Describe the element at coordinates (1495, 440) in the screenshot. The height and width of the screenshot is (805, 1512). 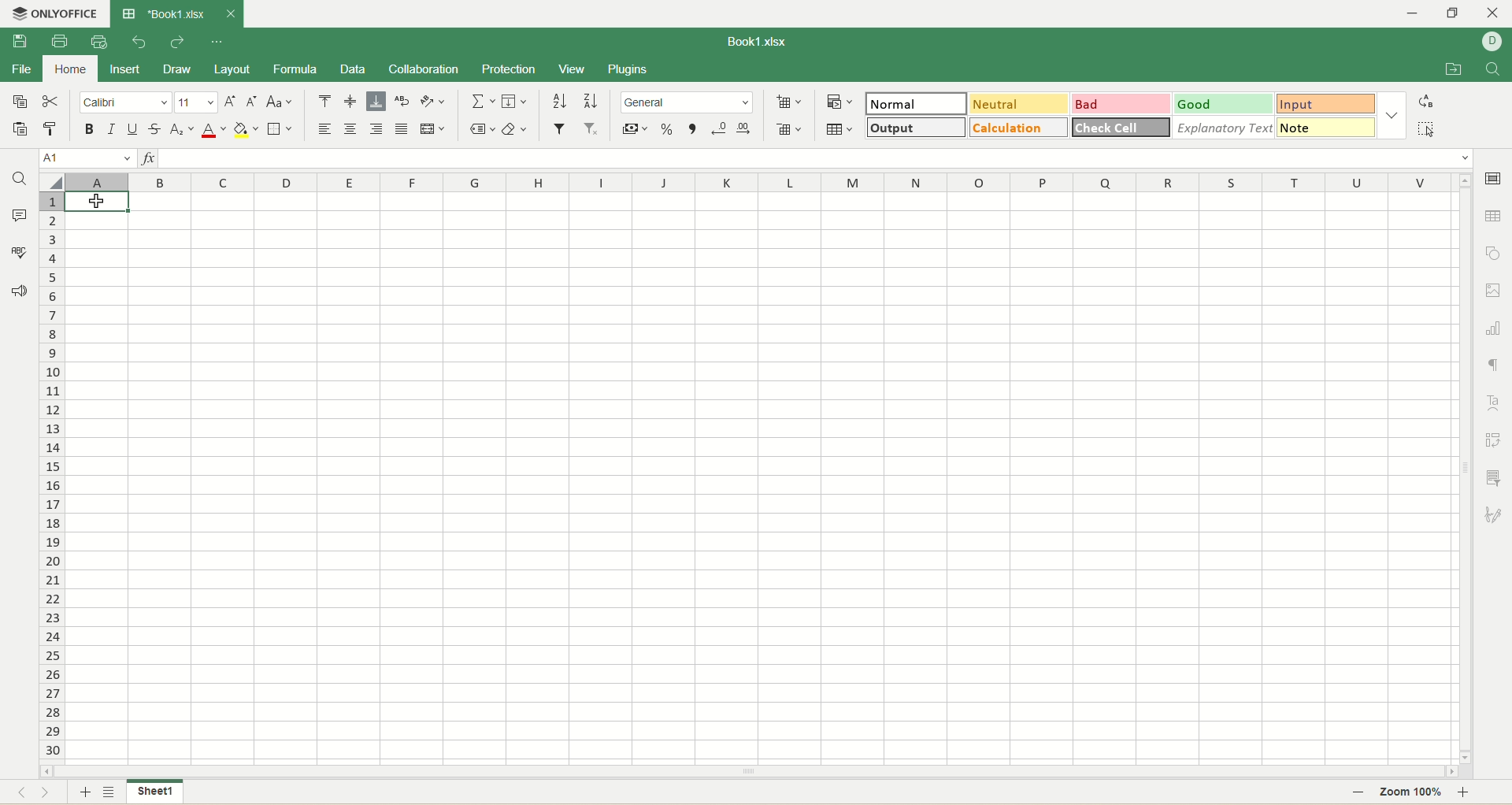
I see `pivot settings` at that location.